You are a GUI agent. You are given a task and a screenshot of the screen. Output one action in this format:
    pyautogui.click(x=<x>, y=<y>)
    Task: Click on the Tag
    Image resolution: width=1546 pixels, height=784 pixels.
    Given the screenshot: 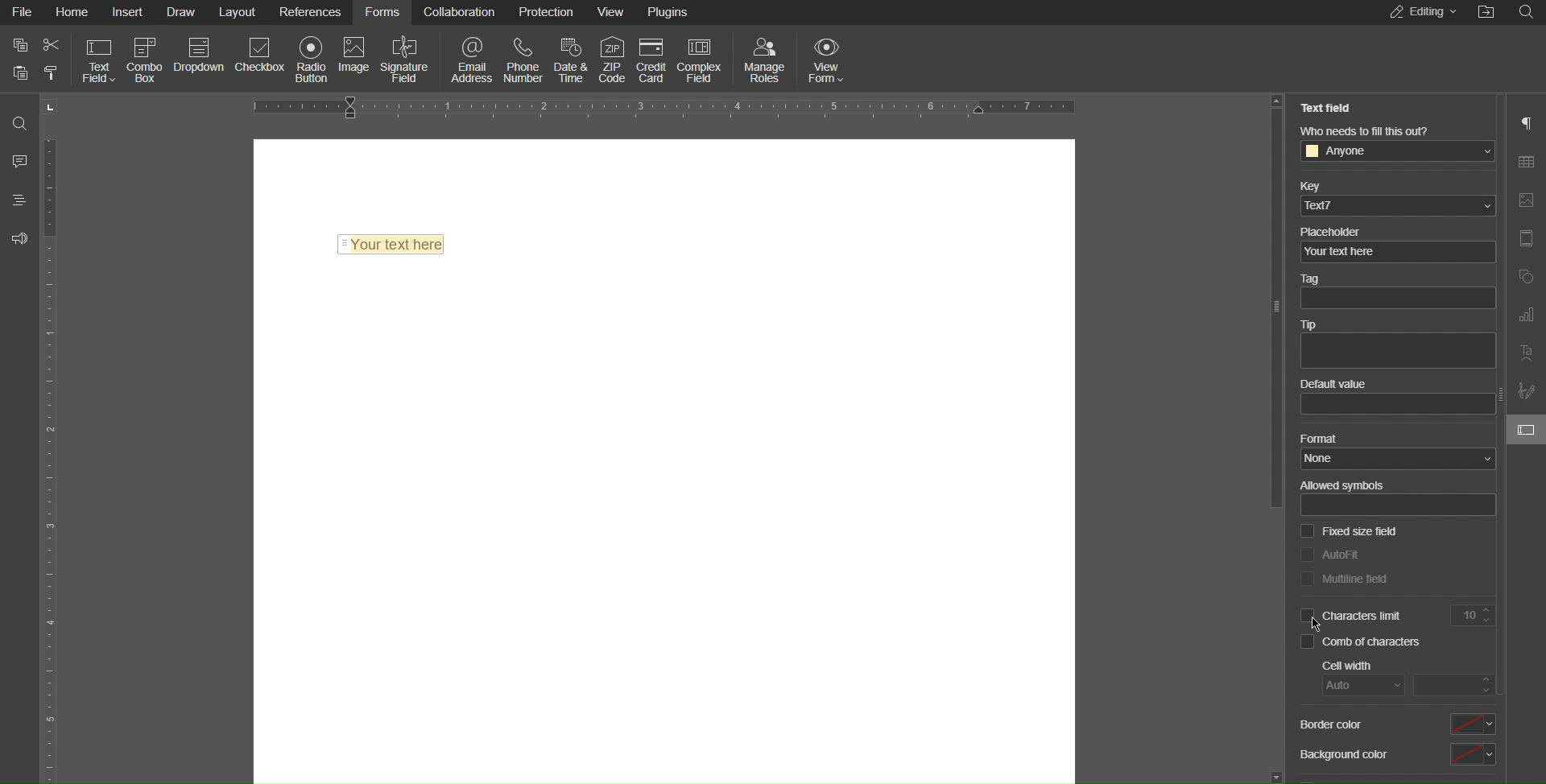 What is the action you would take?
    pyautogui.click(x=1395, y=293)
    